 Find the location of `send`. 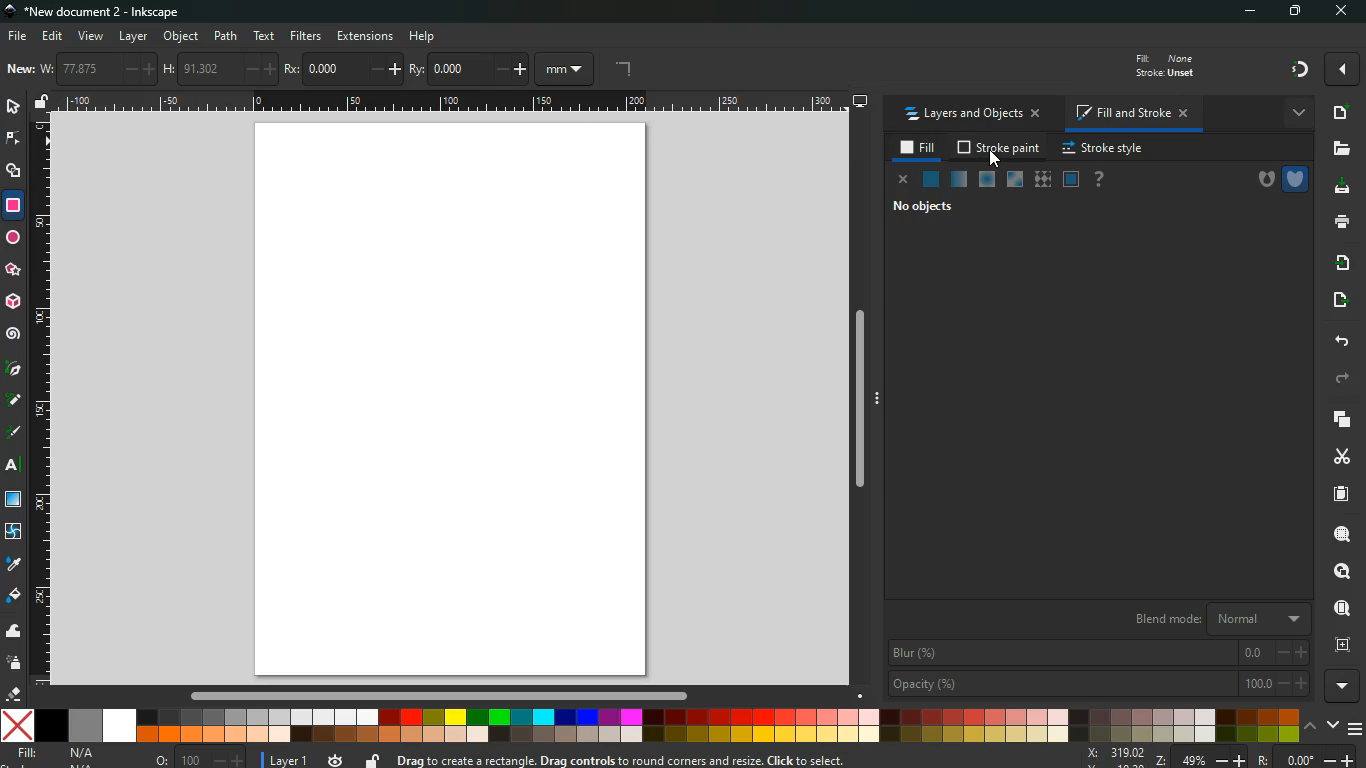

send is located at coordinates (1339, 302).